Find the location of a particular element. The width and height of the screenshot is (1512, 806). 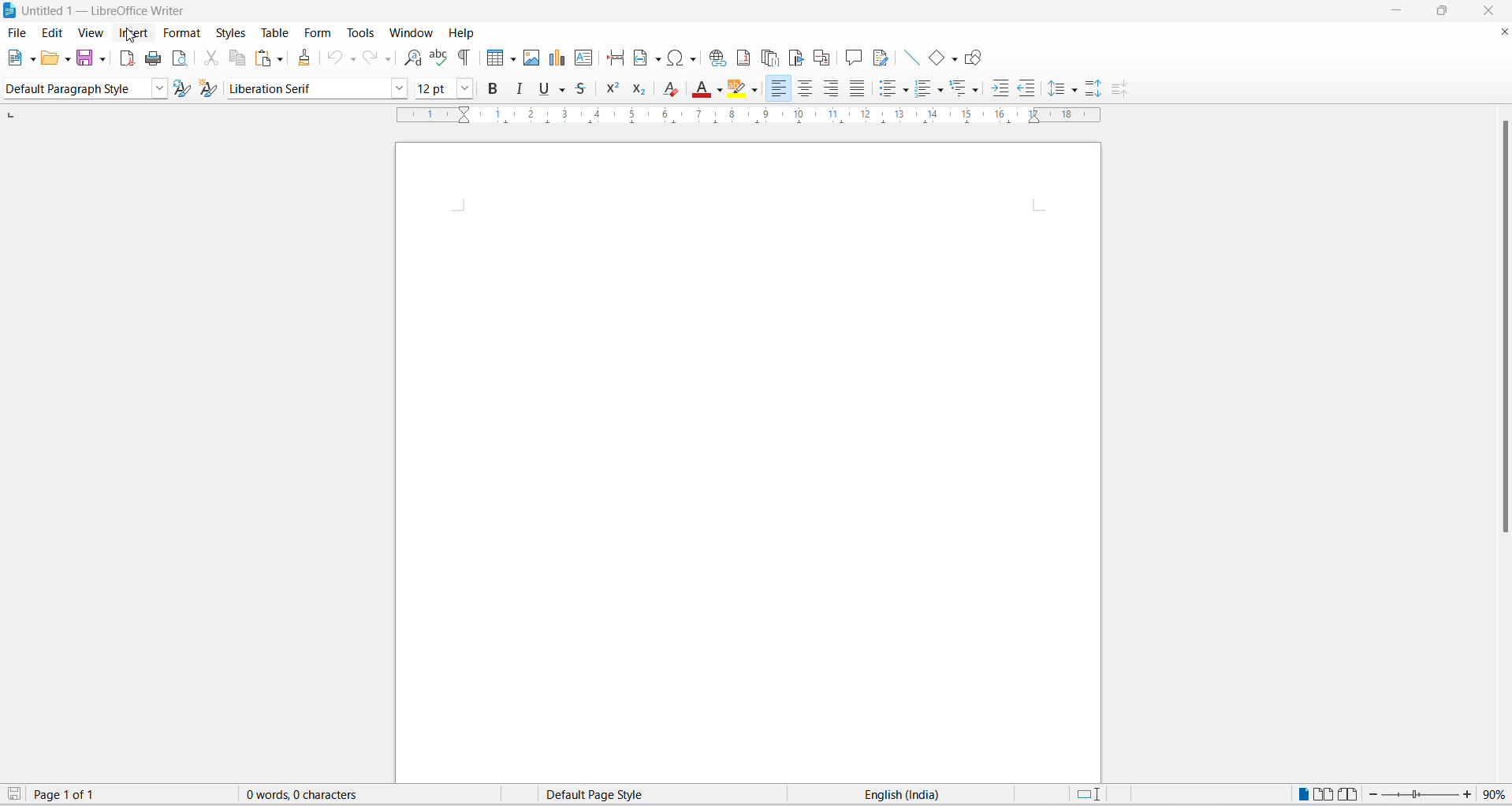

page is located at coordinates (749, 462).